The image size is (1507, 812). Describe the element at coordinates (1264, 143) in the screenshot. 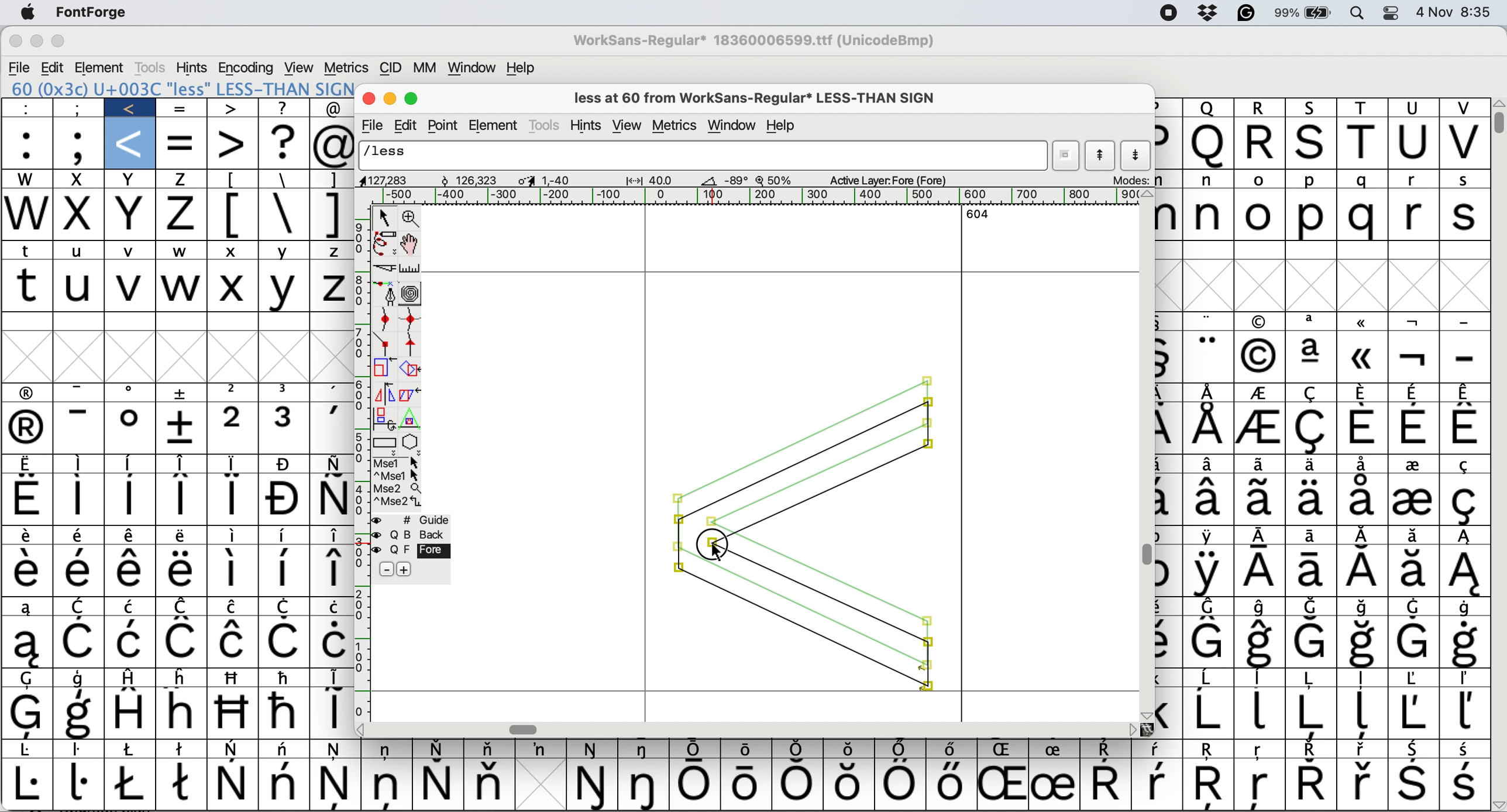

I see `r` at that location.